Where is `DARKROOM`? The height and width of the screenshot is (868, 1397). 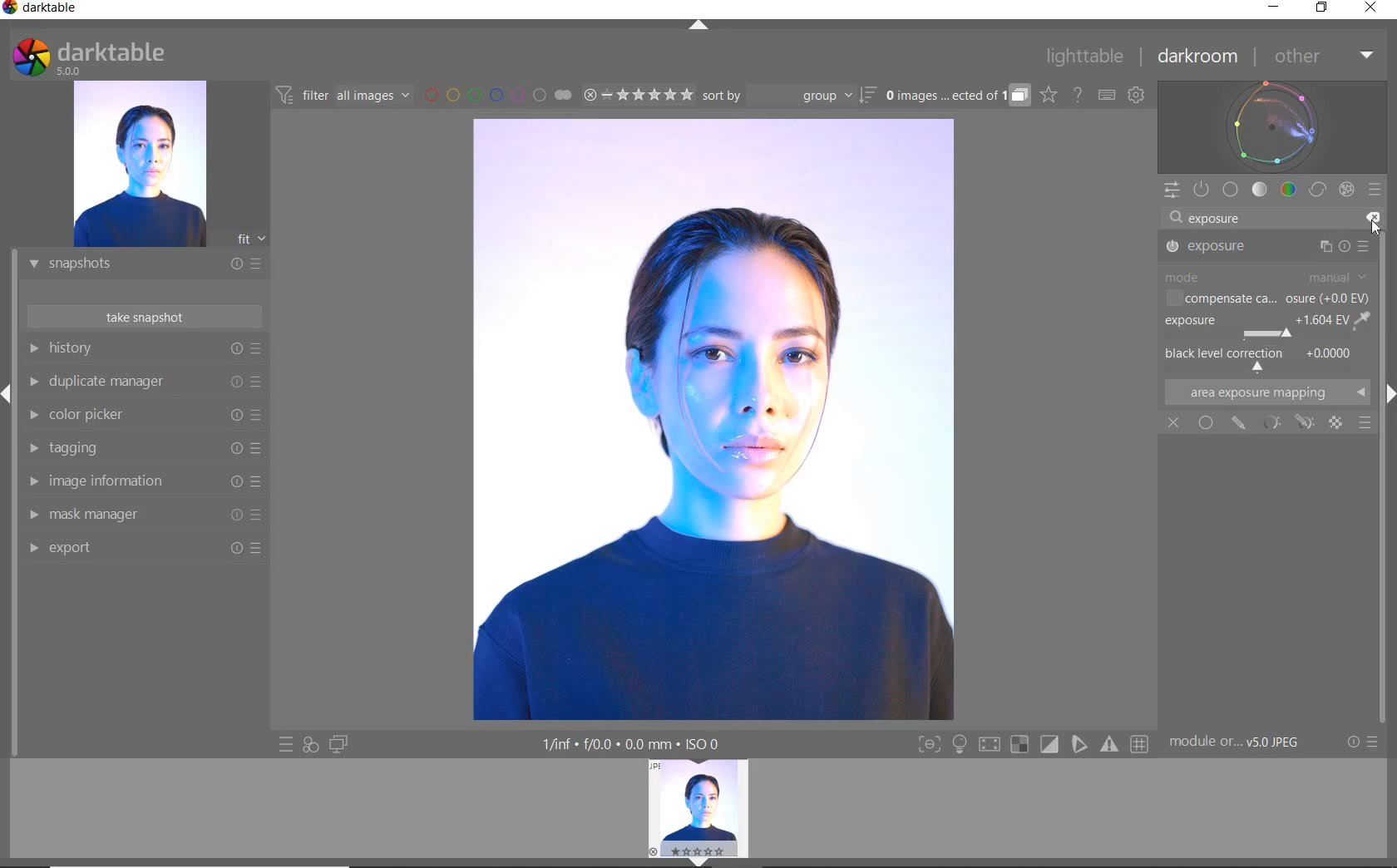
DARKROOM is located at coordinates (1198, 57).